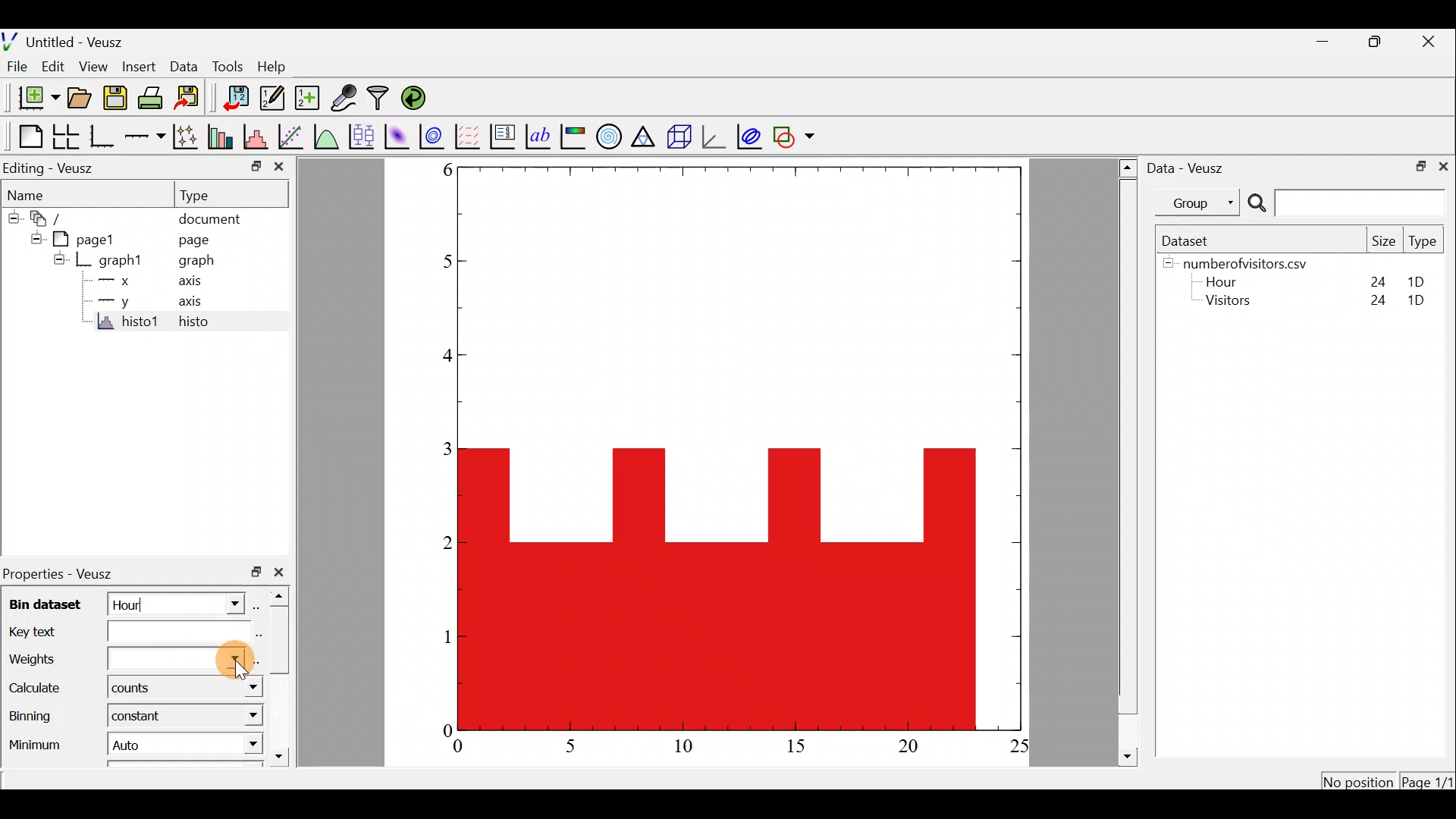  What do you see at coordinates (279, 168) in the screenshot?
I see `close` at bounding box center [279, 168].